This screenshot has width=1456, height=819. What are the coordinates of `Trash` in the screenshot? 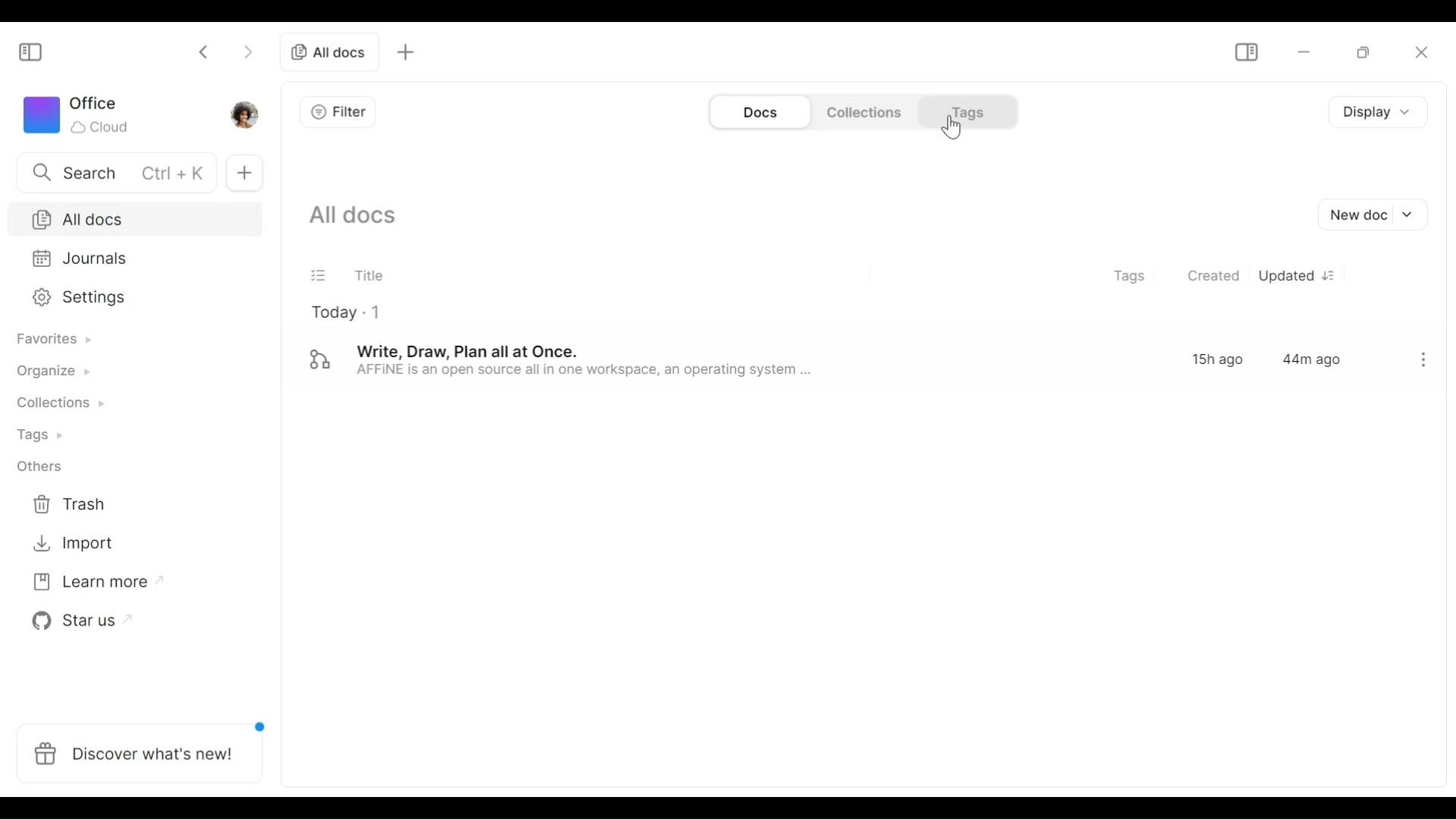 It's located at (80, 504).